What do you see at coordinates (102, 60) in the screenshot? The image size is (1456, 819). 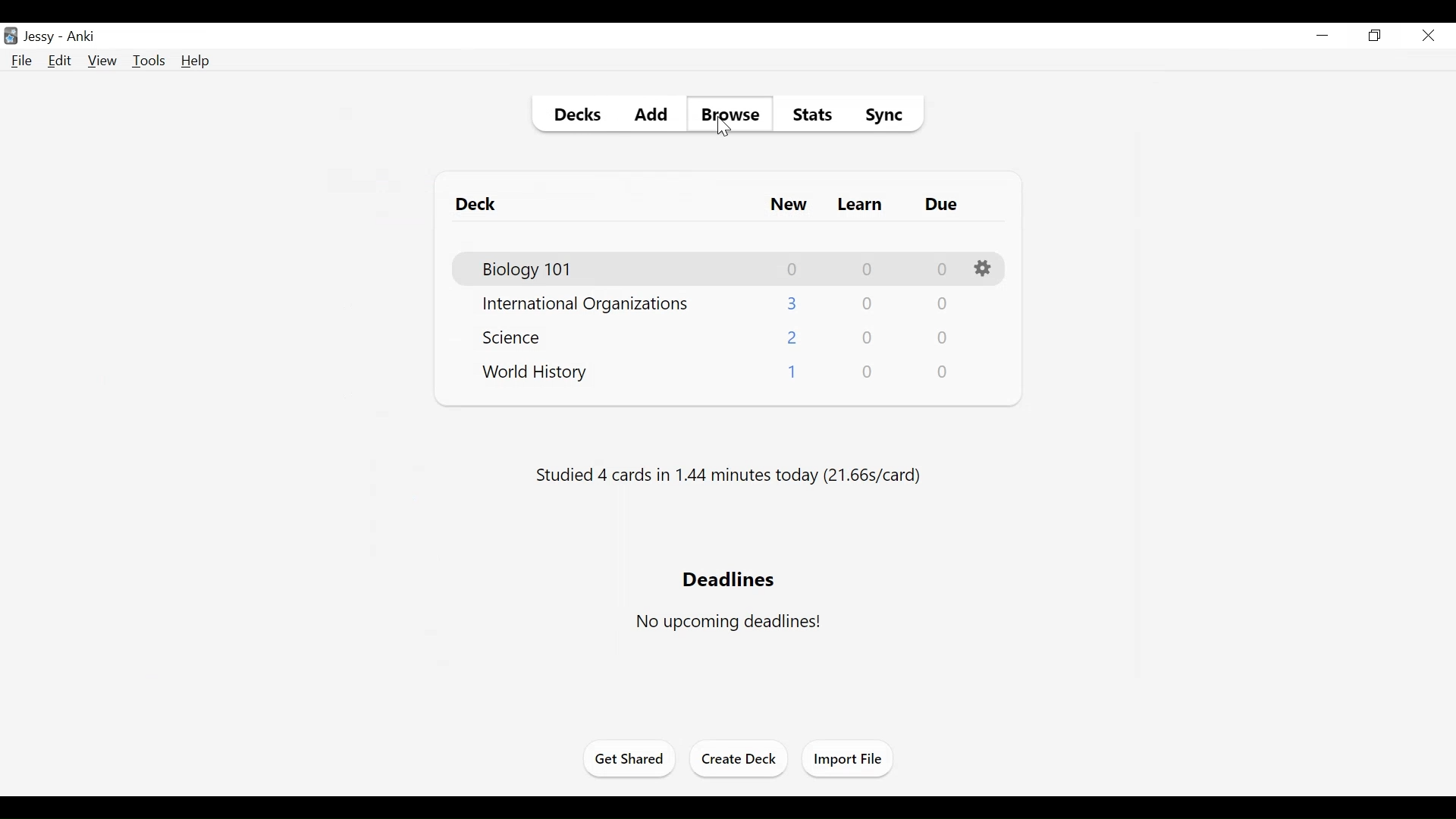 I see `View` at bounding box center [102, 60].